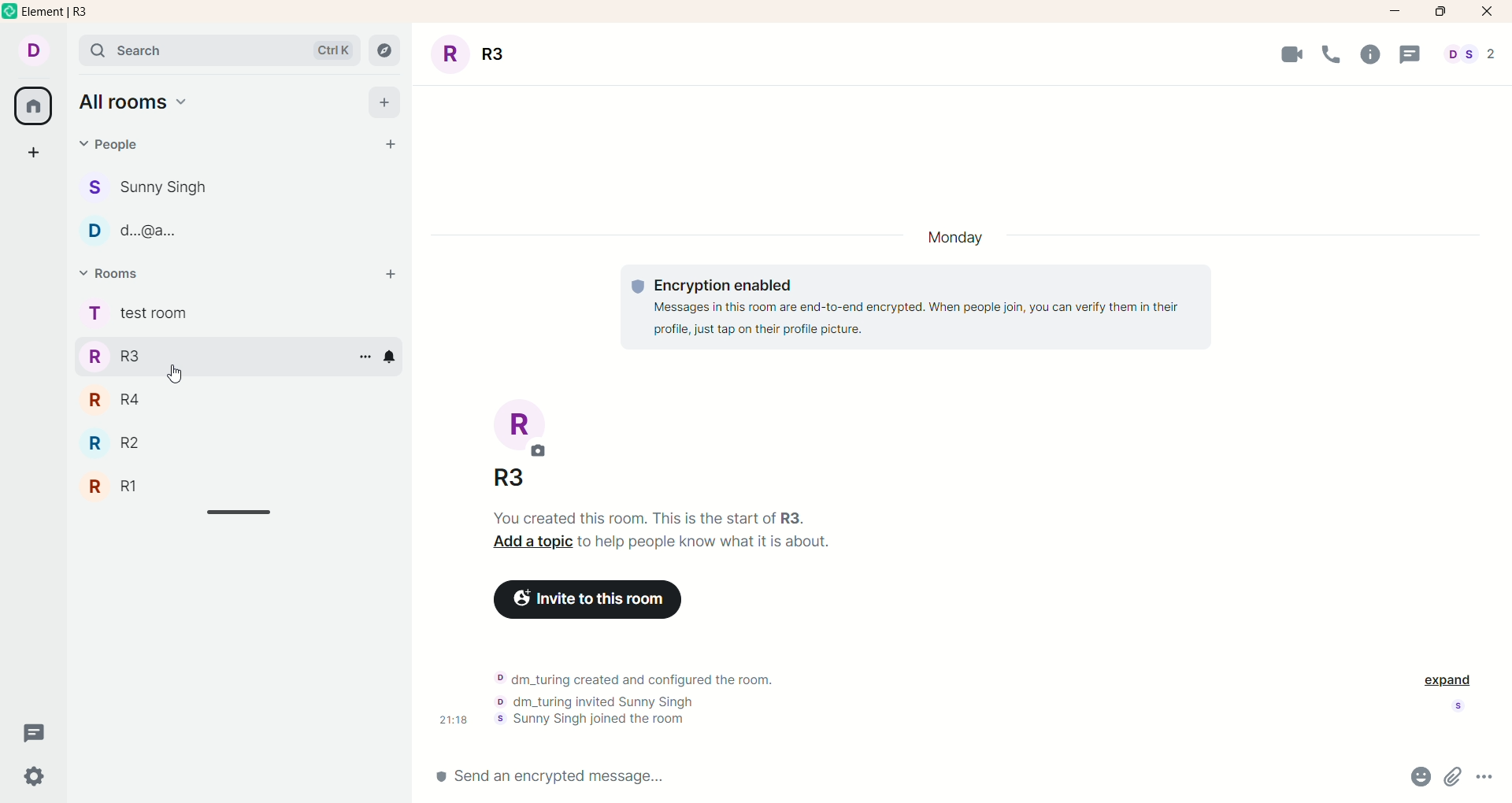  Describe the element at coordinates (522, 448) in the screenshot. I see `room title` at that location.